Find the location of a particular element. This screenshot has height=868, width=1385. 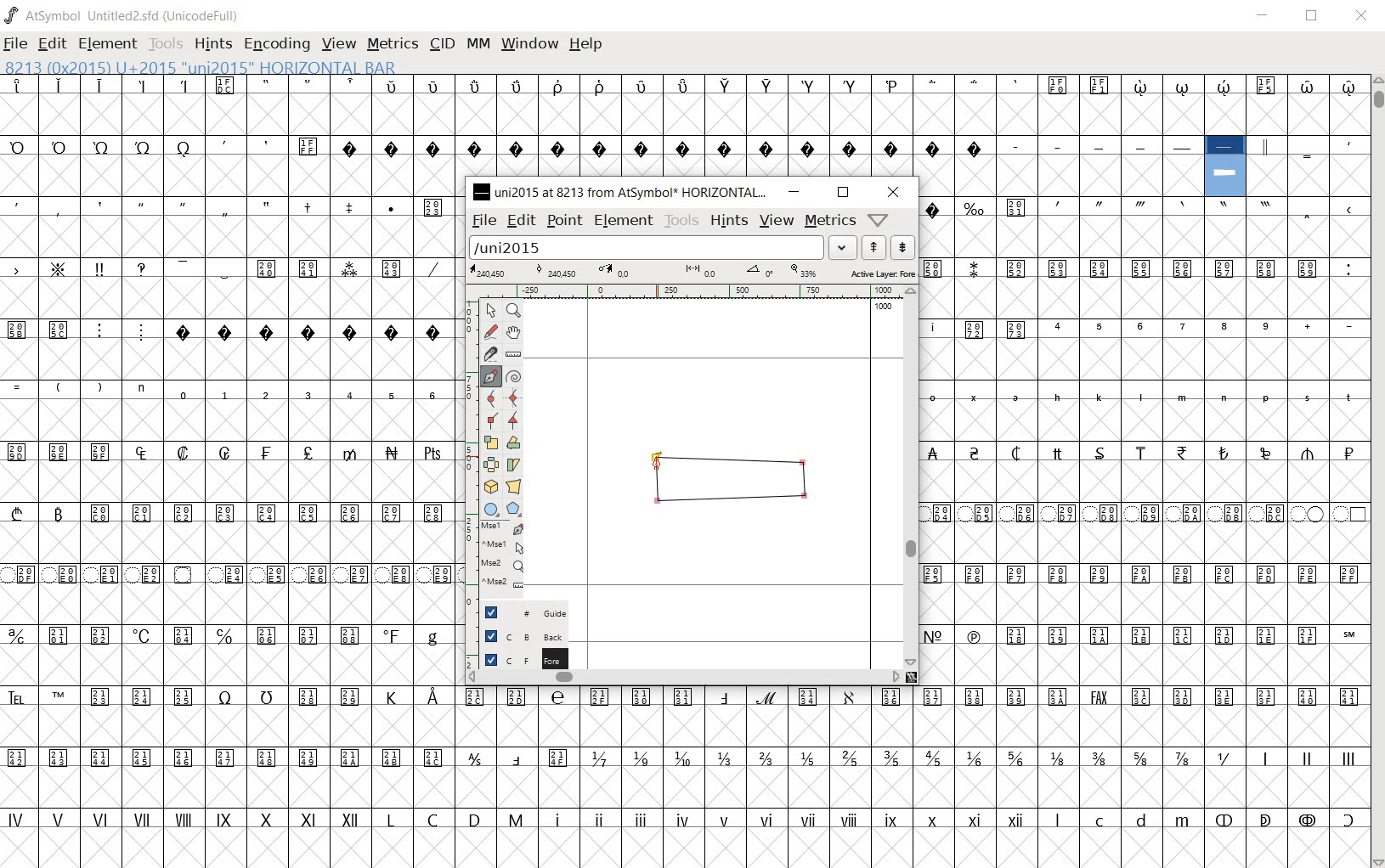

uni2015 at 8213 from AtSymbol HORIZONTAL... is located at coordinates (620, 192).